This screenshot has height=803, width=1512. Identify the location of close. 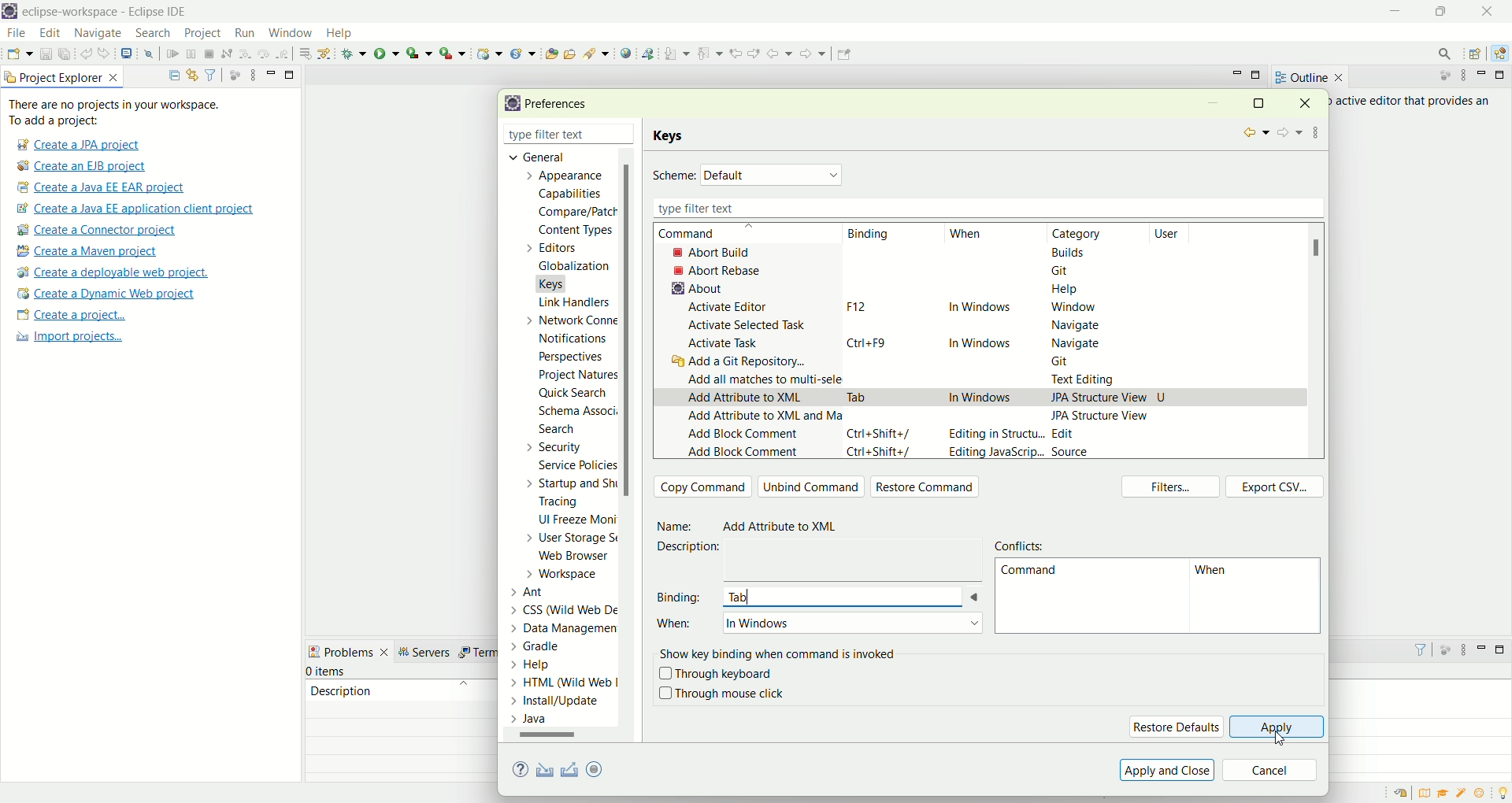
(1310, 102).